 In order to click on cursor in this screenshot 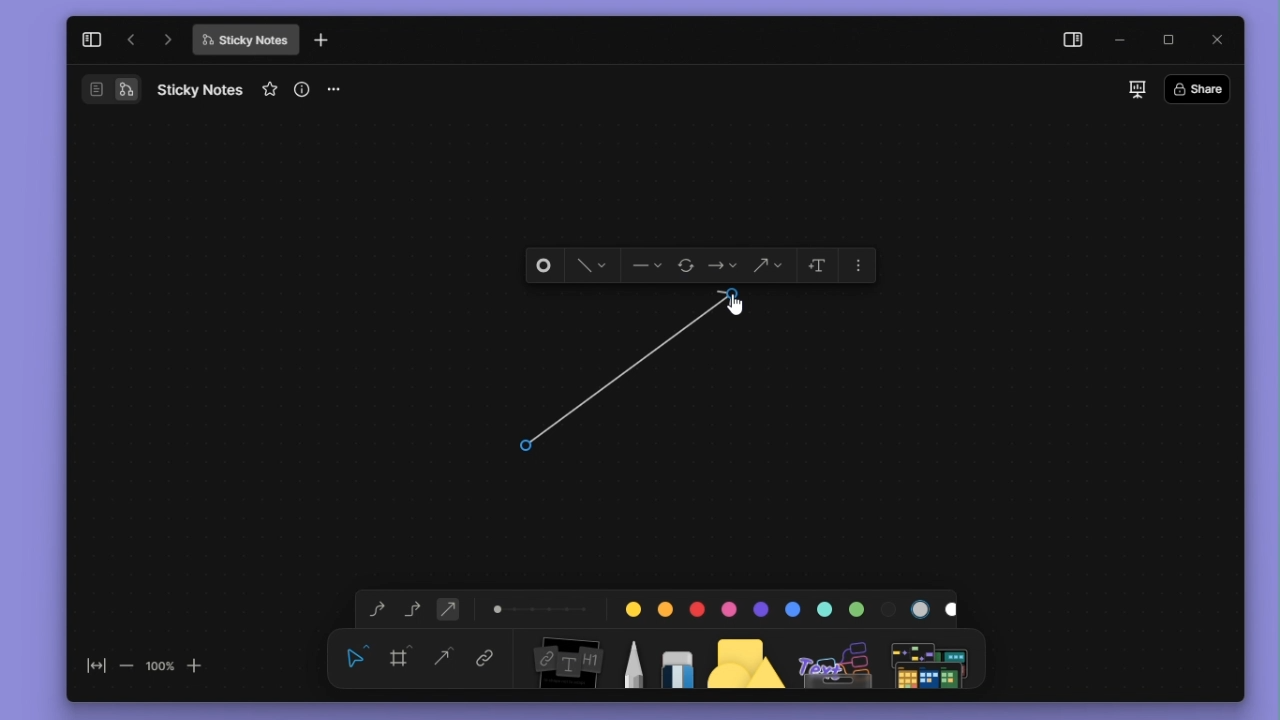, I will do `click(738, 310)`.